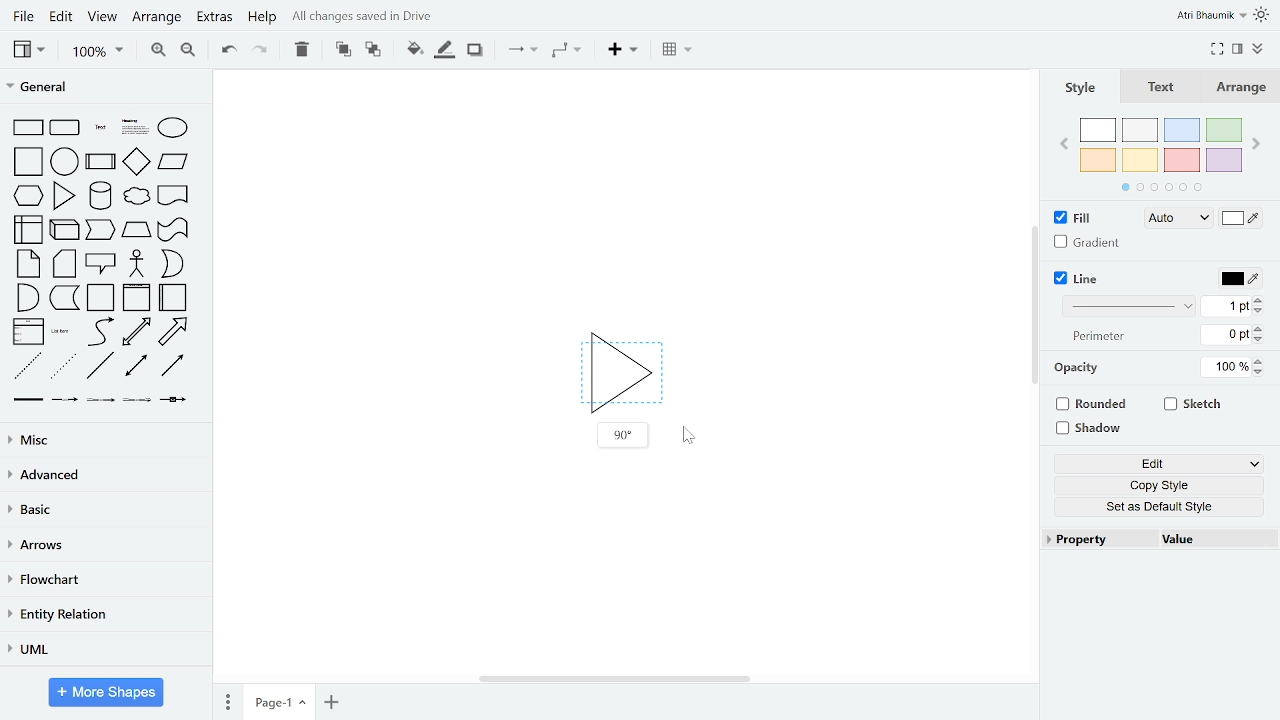 Image resolution: width=1280 pixels, height=720 pixels. What do you see at coordinates (1240, 278) in the screenshot?
I see `line color` at bounding box center [1240, 278].